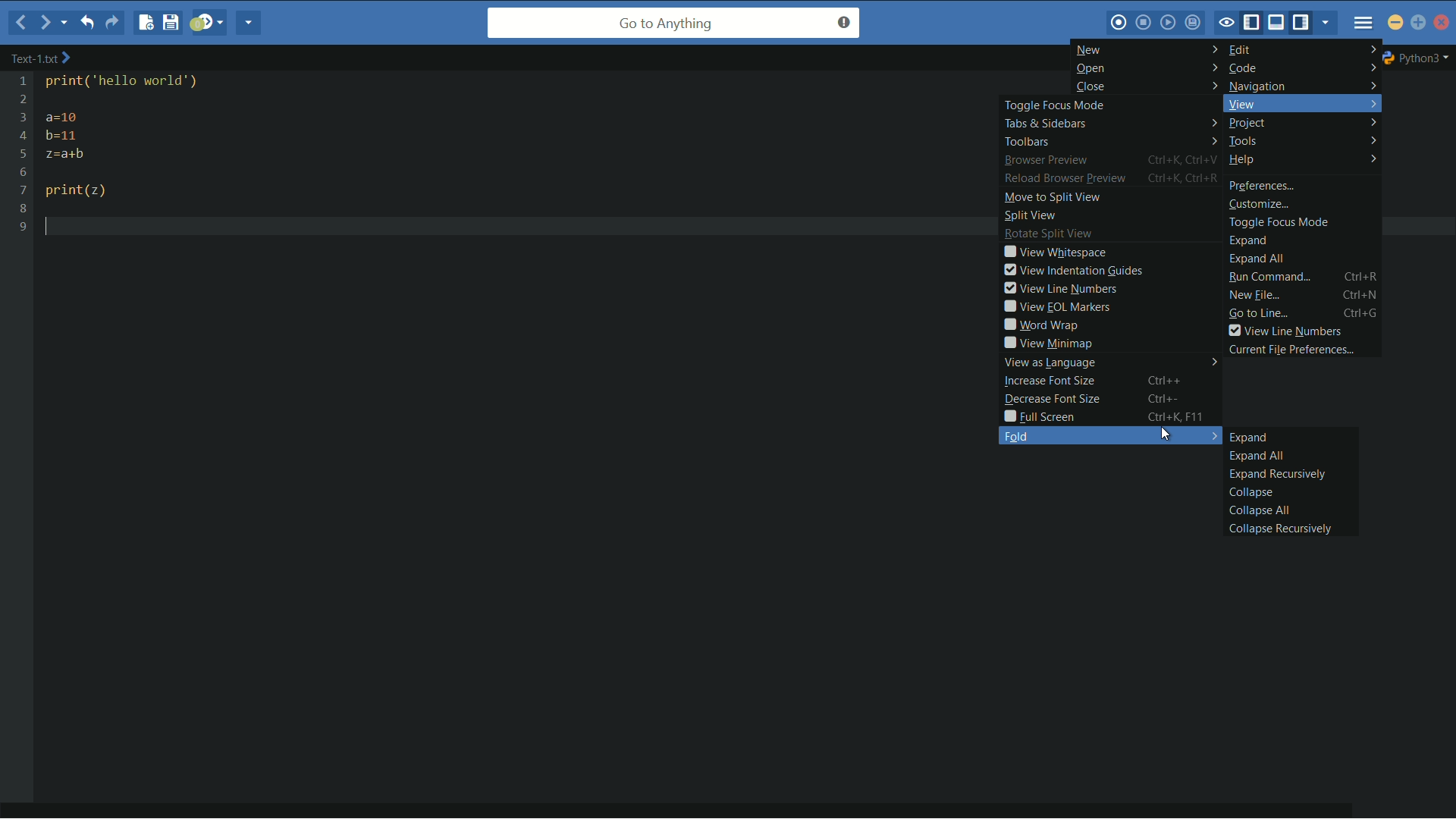  Describe the element at coordinates (114, 23) in the screenshot. I see `redo` at that location.